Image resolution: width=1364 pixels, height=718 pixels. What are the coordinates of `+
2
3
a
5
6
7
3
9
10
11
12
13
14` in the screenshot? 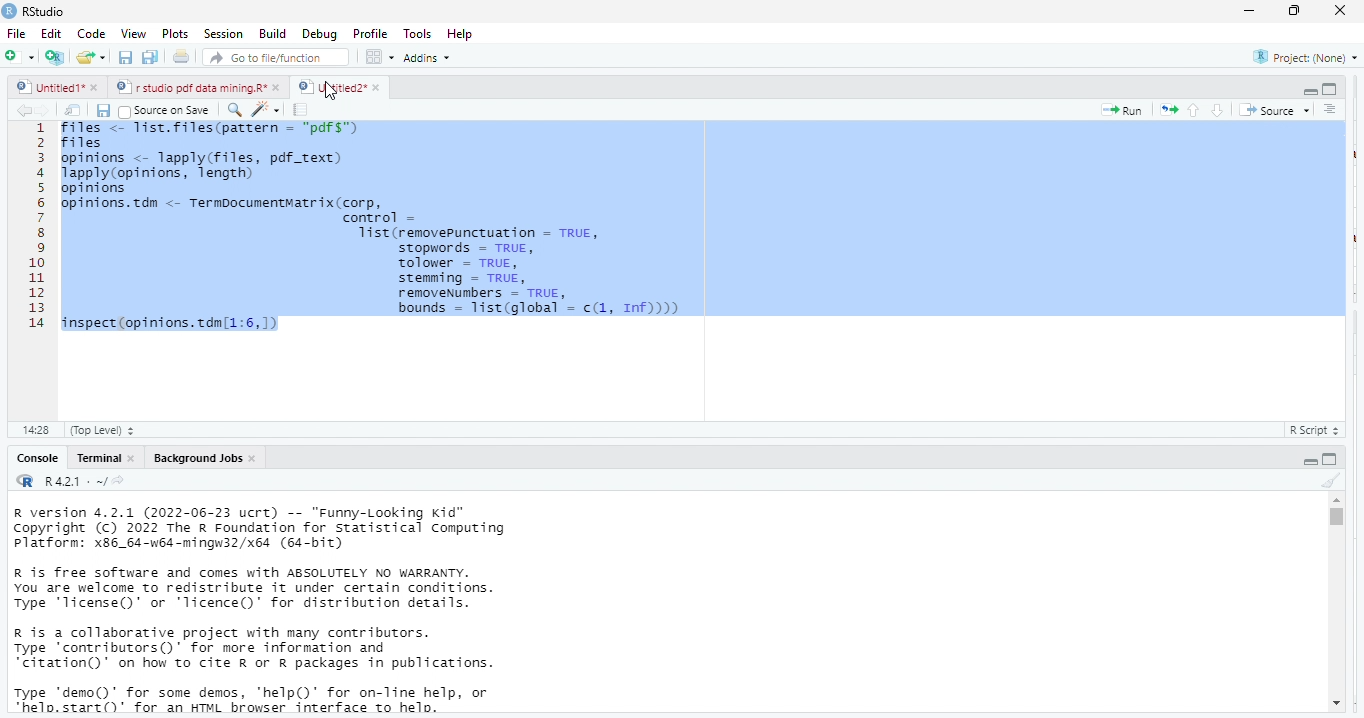 It's located at (32, 230).